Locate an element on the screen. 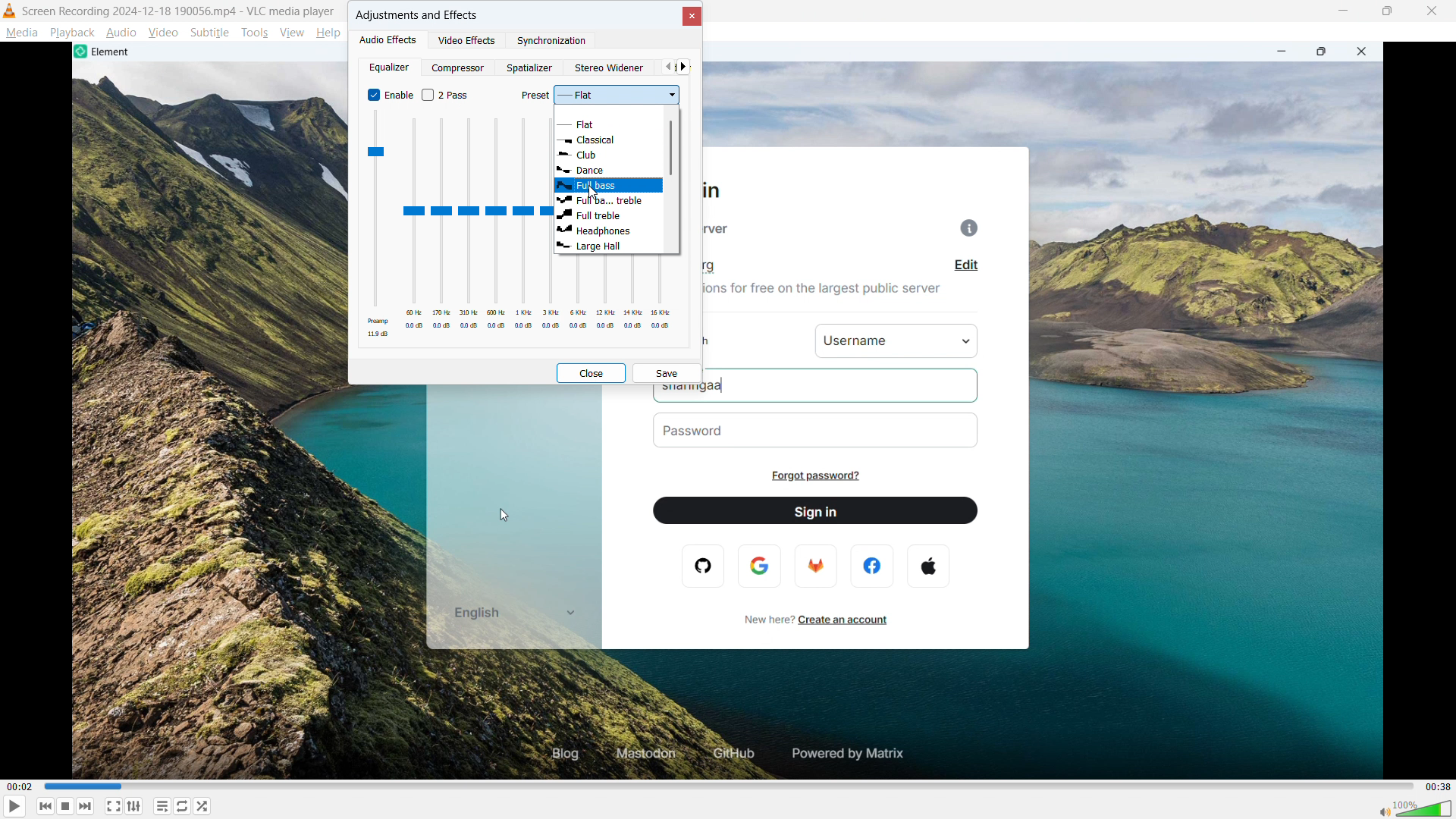 The height and width of the screenshot is (819, 1456). 00:30 is located at coordinates (1436, 785).